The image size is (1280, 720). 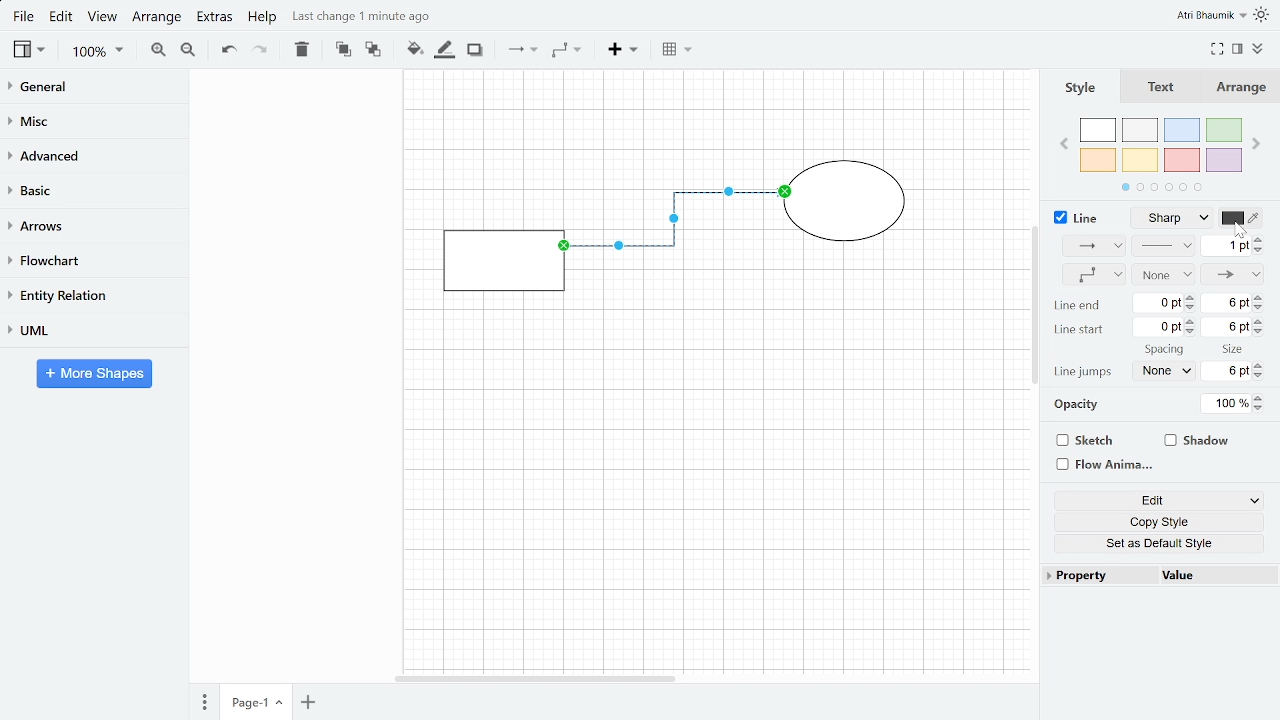 I want to click on line start, so click(x=1081, y=330).